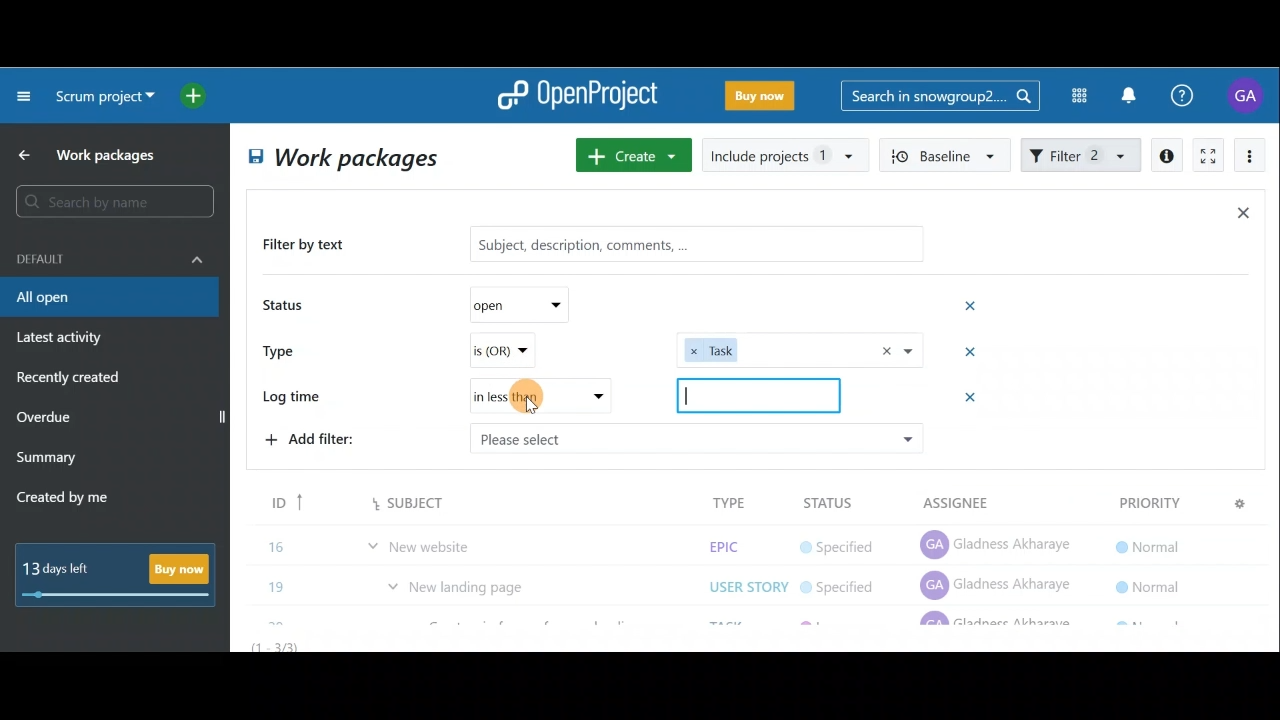 This screenshot has height=720, width=1280. Describe the element at coordinates (577, 97) in the screenshot. I see `OpenProject` at that location.